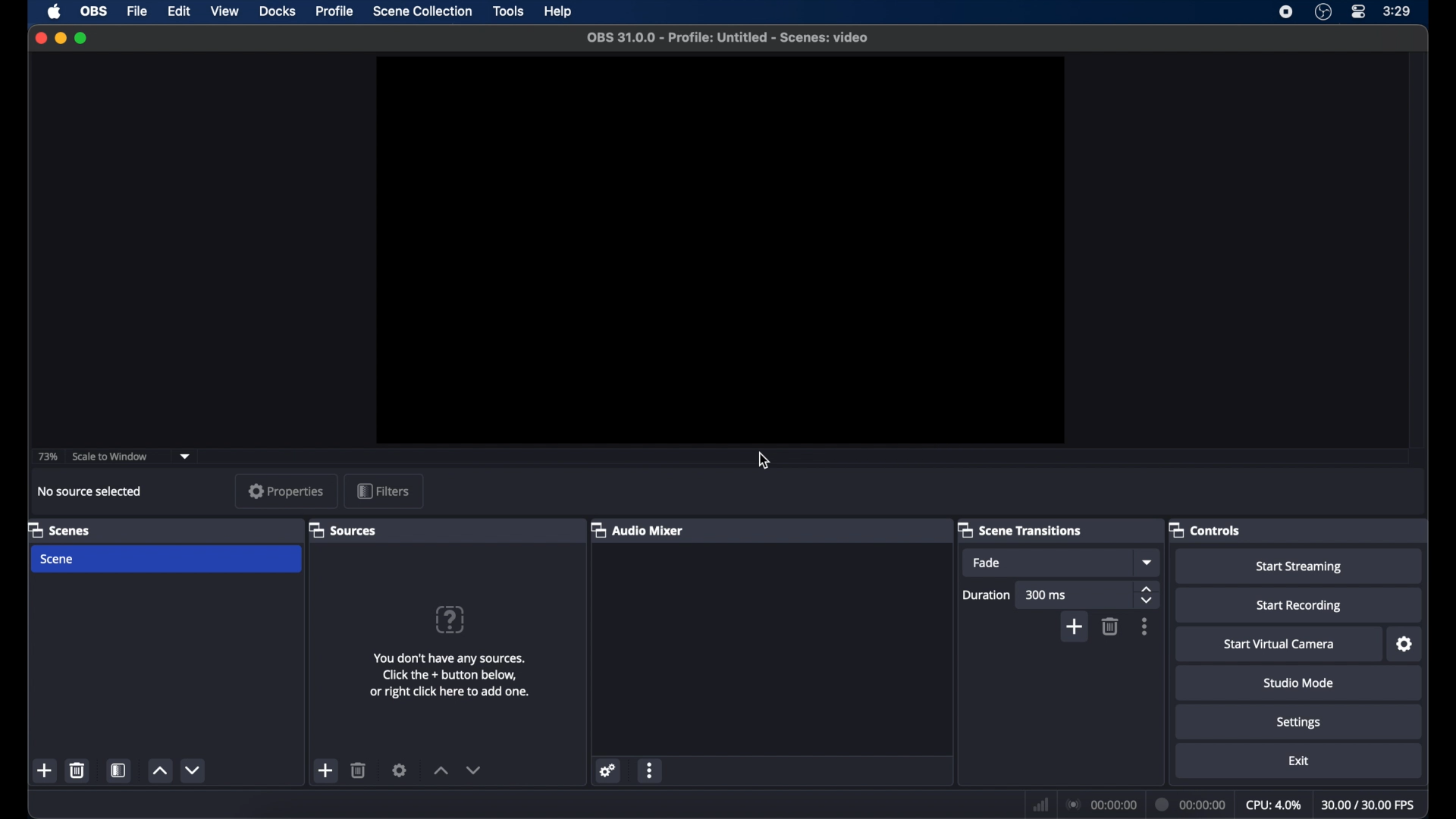 This screenshot has width=1456, height=819. What do you see at coordinates (60, 529) in the screenshot?
I see `scenes` at bounding box center [60, 529].